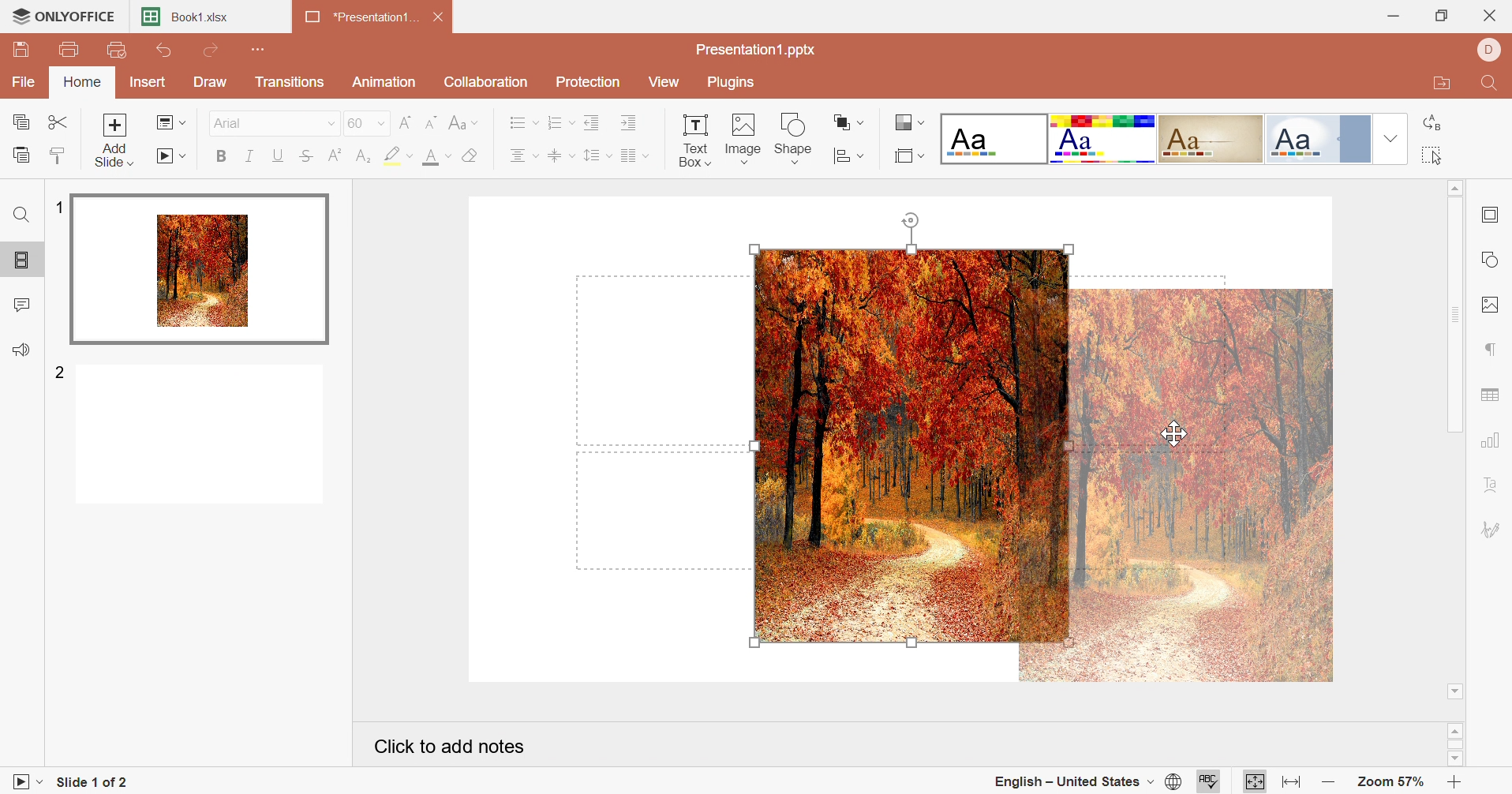 The image size is (1512, 794). Describe the element at coordinates (291, 83) in the screenshot. I see `Transitions` at that location.